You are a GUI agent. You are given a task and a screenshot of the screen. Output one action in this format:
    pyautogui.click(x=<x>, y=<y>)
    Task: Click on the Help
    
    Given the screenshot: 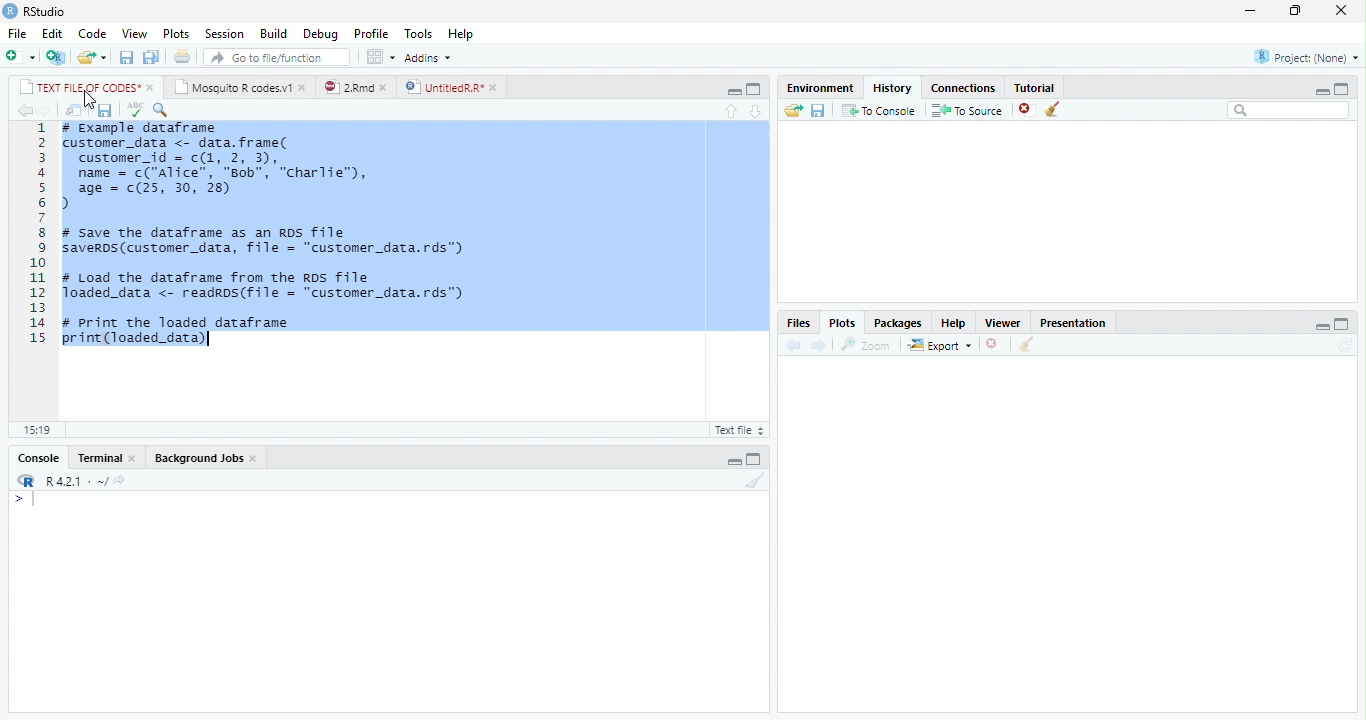 What is the action you would take?
    pyautogui.click(x=462, y=34)
    